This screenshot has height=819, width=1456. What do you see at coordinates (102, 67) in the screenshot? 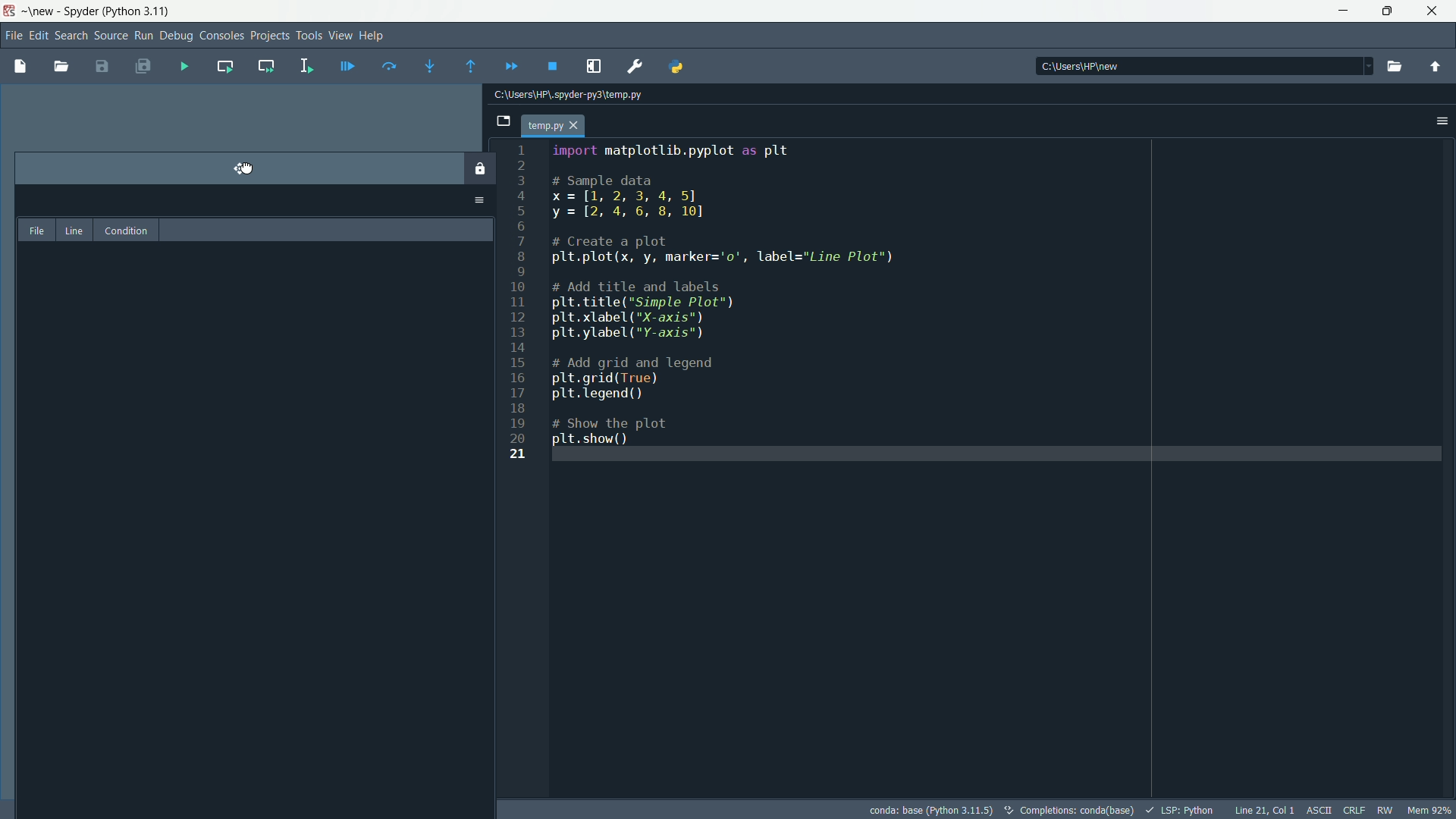
I see `save file` at bounding box center [102, 67].